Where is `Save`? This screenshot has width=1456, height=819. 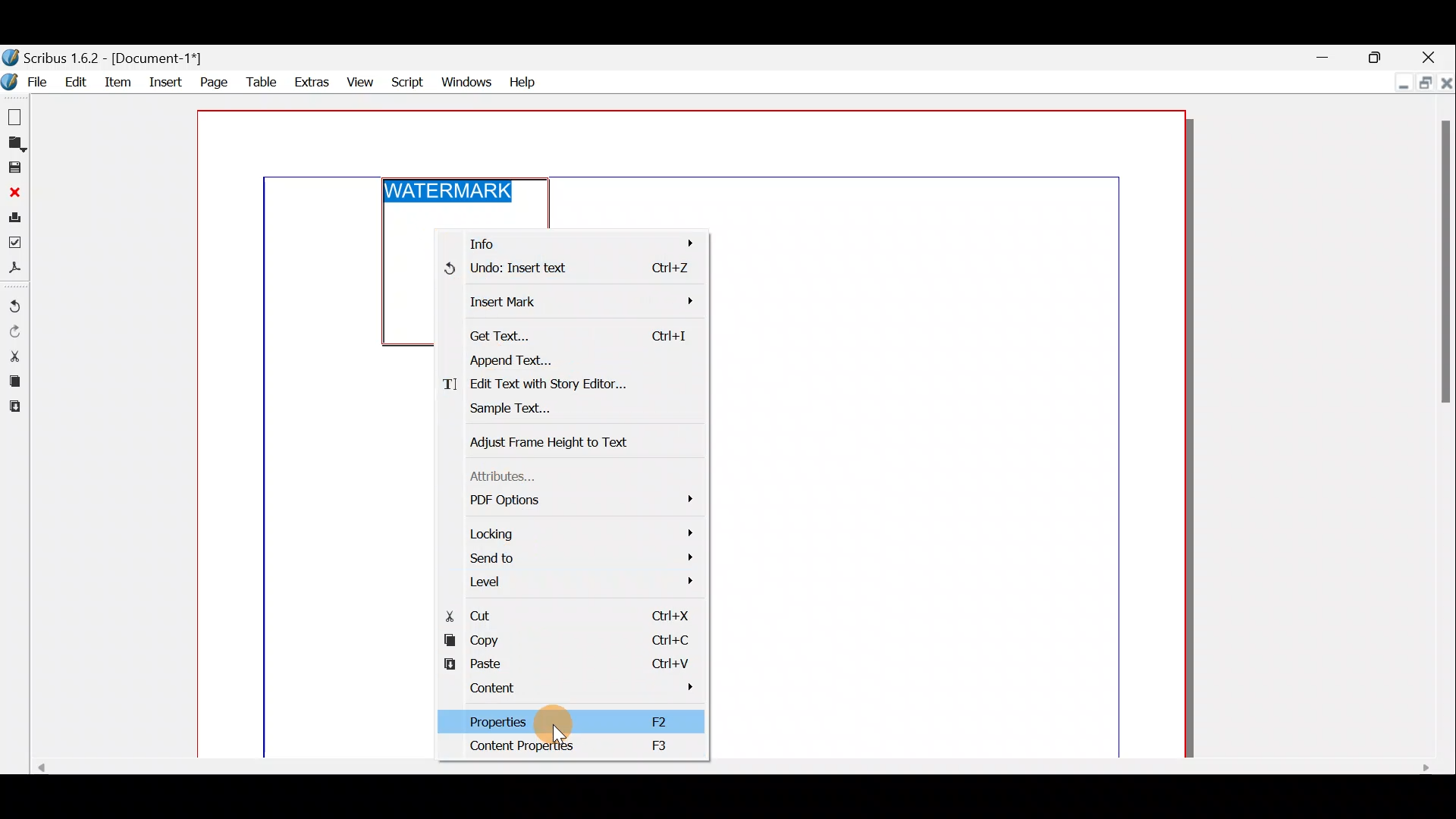 Save is located at coordinates (14, 168).